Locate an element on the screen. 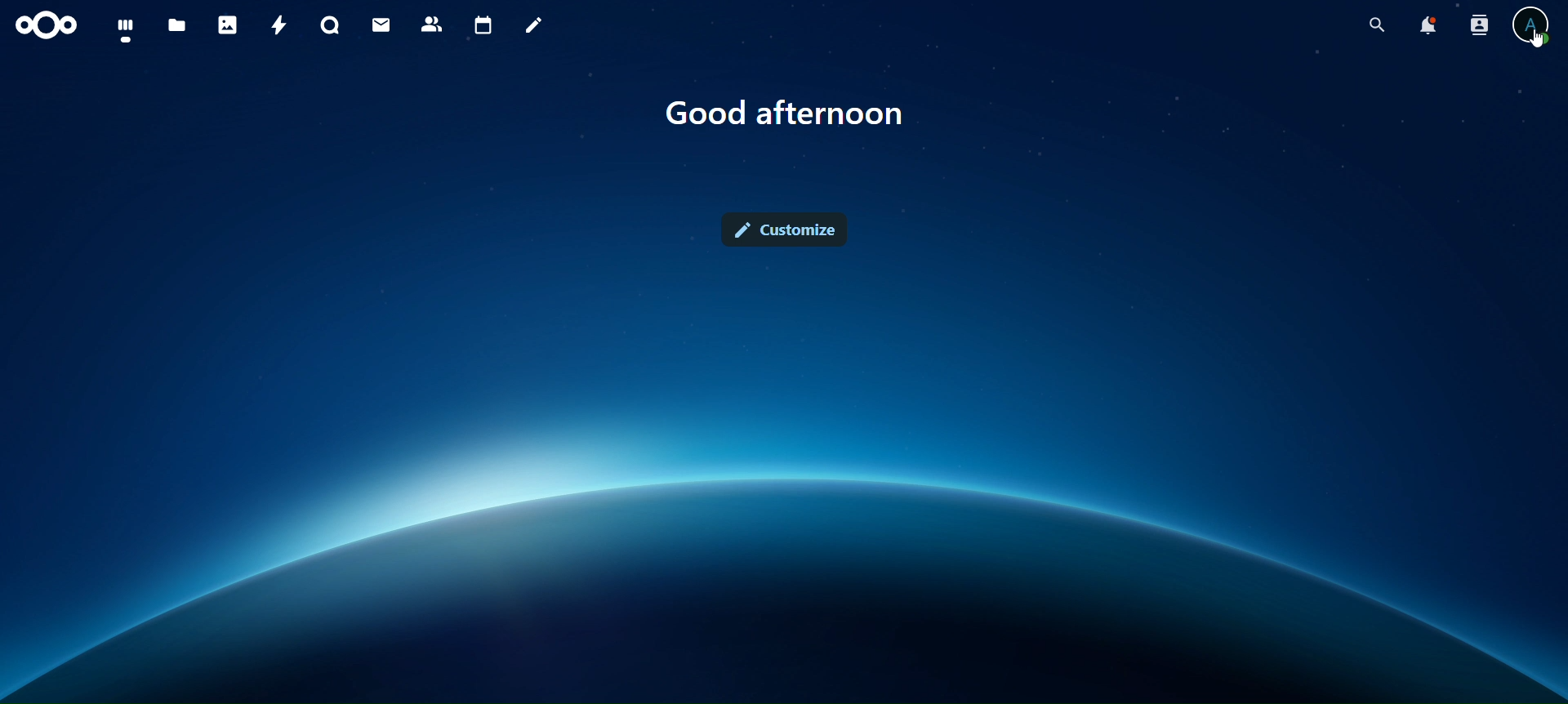 This screenshot has width=1568, height=704. files is located at coordinates (178, 27).